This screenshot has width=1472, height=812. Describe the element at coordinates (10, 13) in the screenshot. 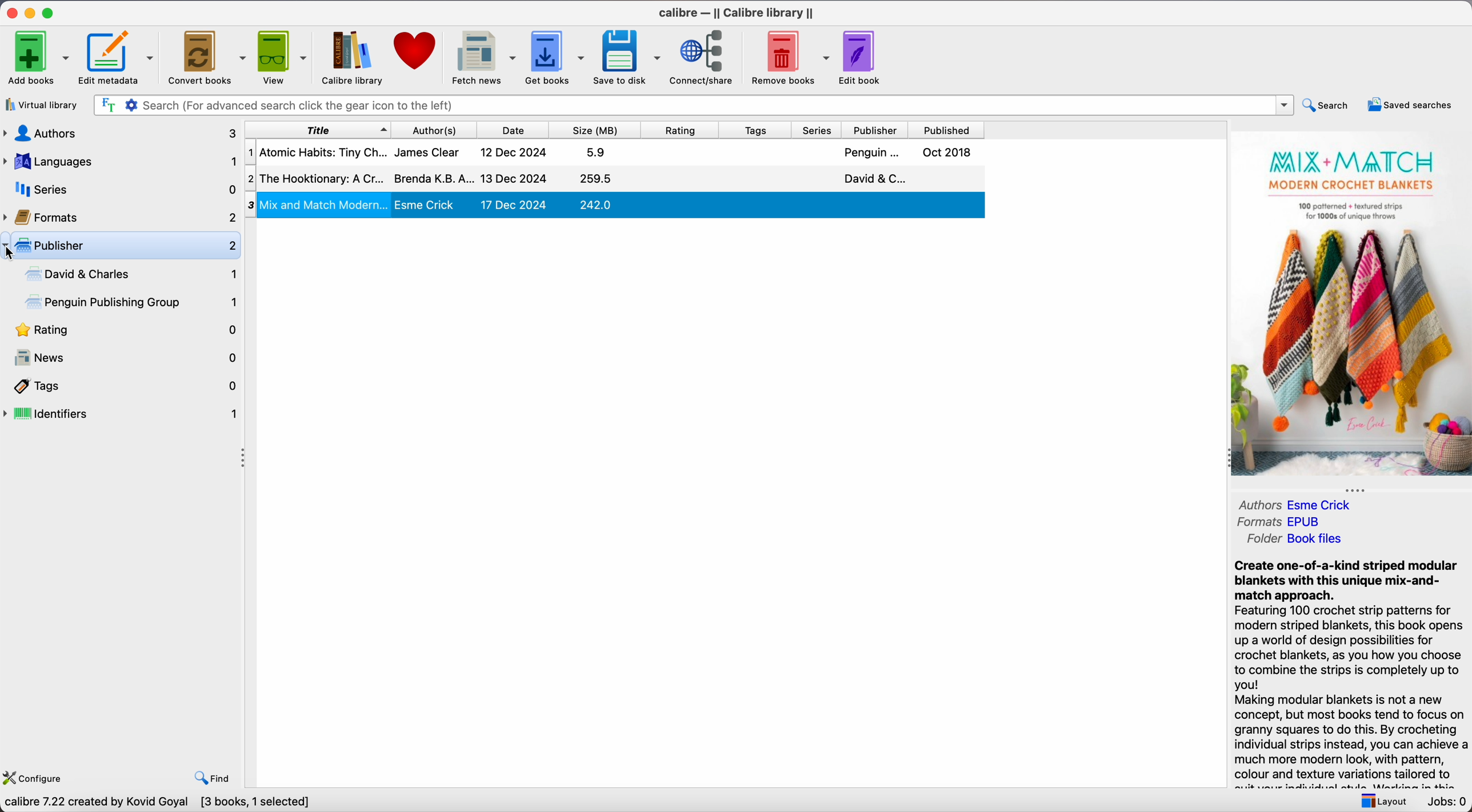

I see `close` at that location.